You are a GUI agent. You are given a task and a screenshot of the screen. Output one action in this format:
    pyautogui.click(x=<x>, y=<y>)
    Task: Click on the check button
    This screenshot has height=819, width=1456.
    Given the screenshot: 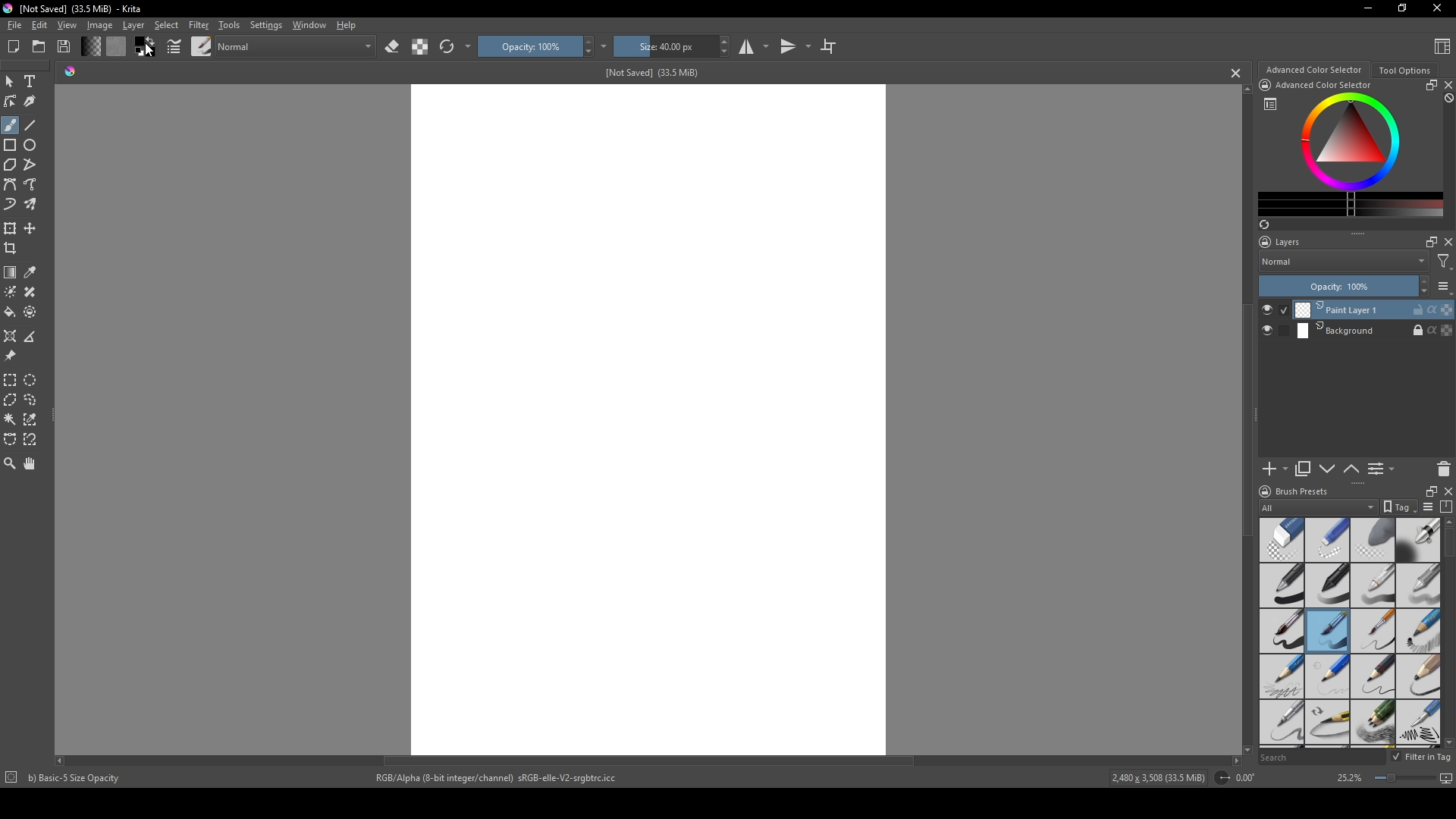 What is the action you would take?
    pyautogui.click(x=1275, y=331)
    